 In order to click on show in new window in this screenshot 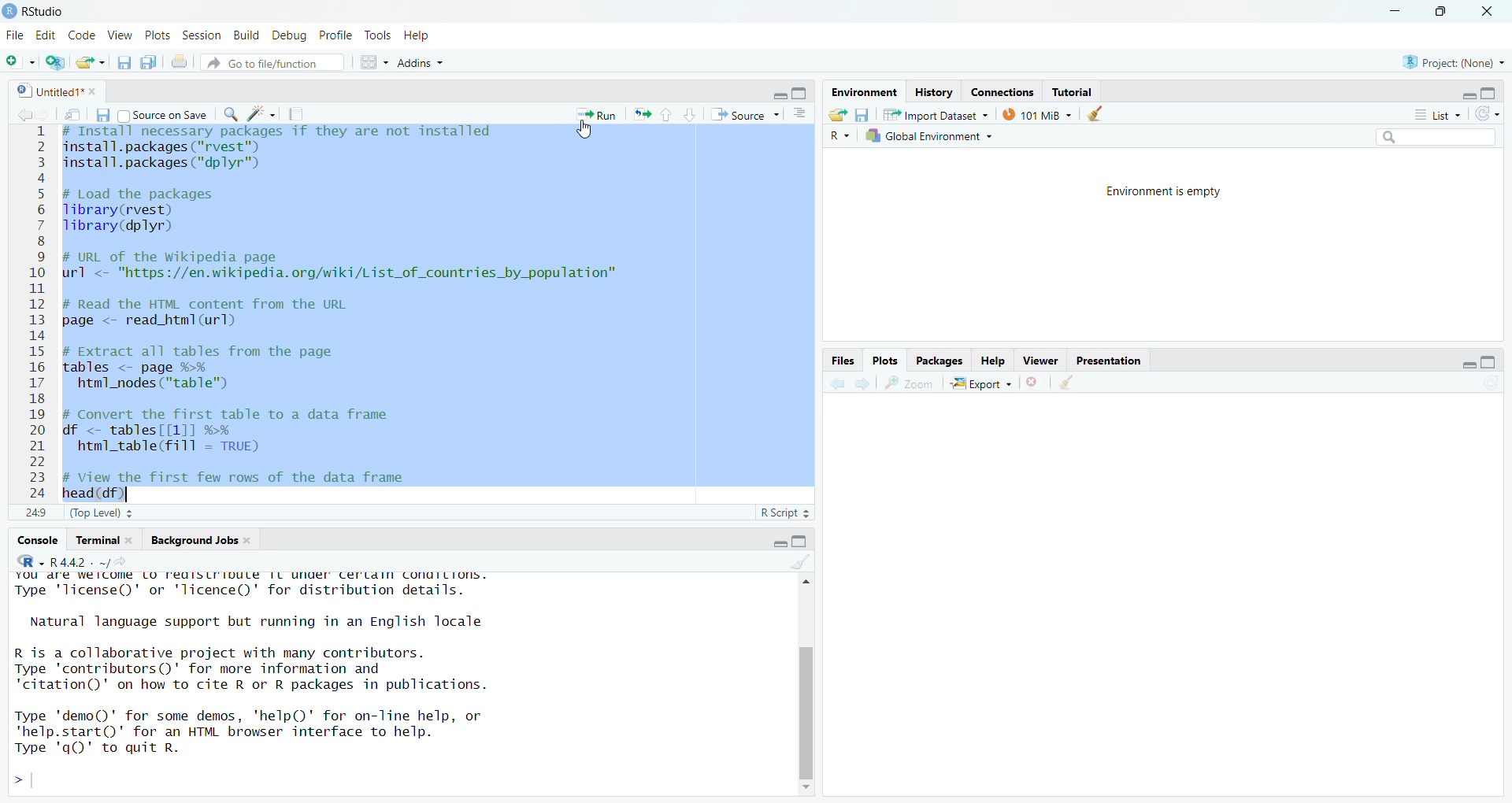, I will do `click(72, 114)`.